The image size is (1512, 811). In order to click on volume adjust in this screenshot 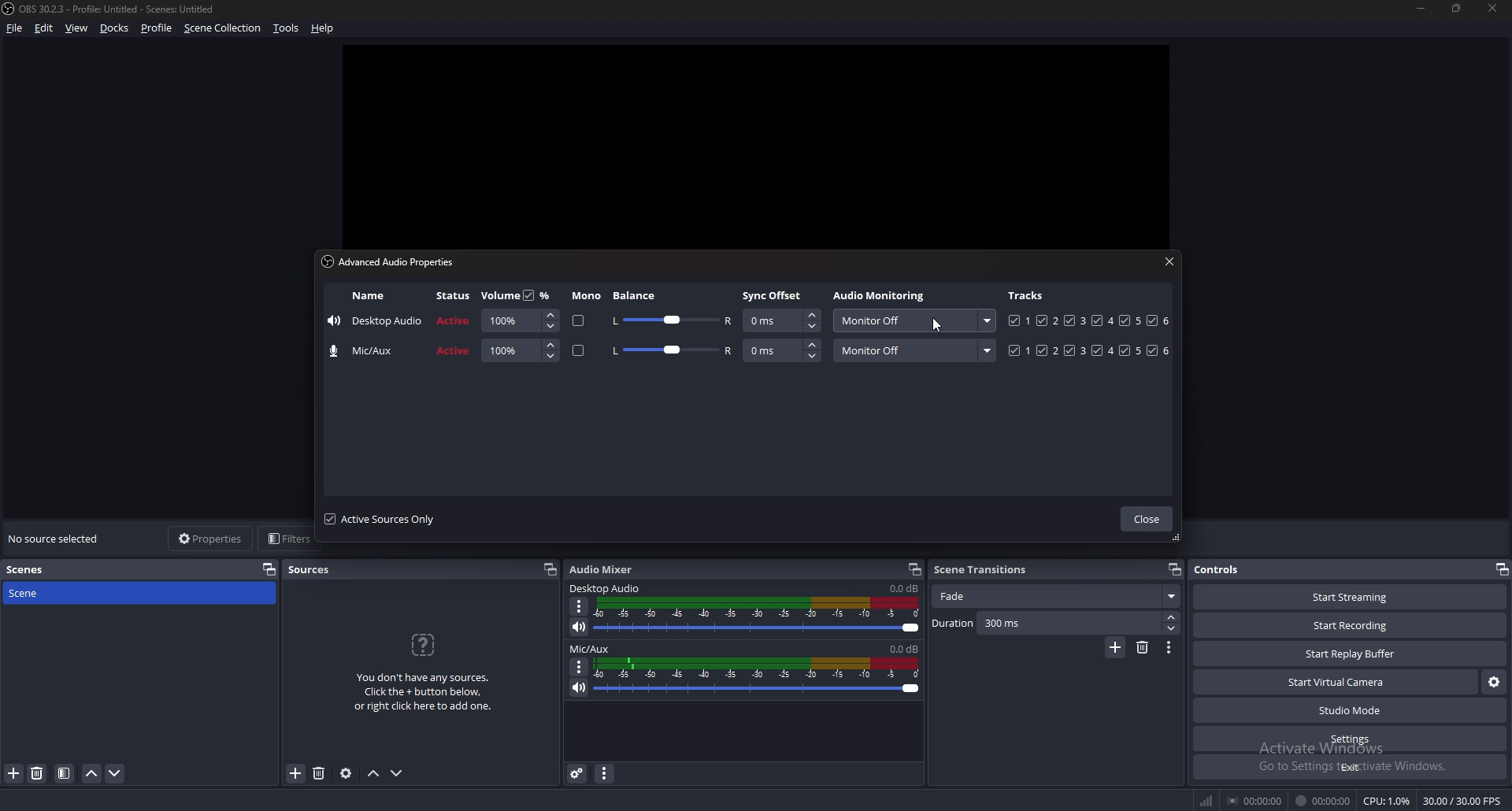, I will do `click(757, 617)`.